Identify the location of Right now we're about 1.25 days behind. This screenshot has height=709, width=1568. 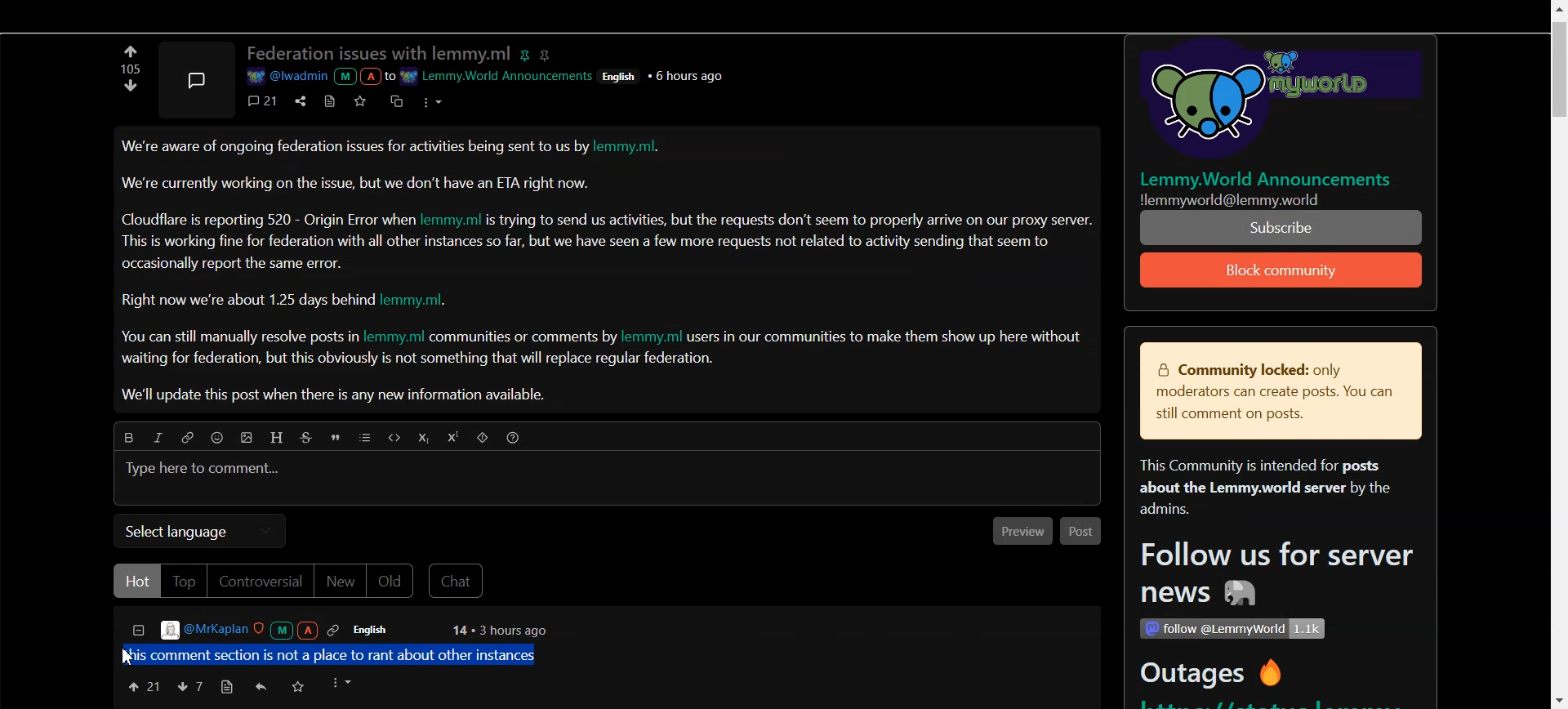
(249, 301).